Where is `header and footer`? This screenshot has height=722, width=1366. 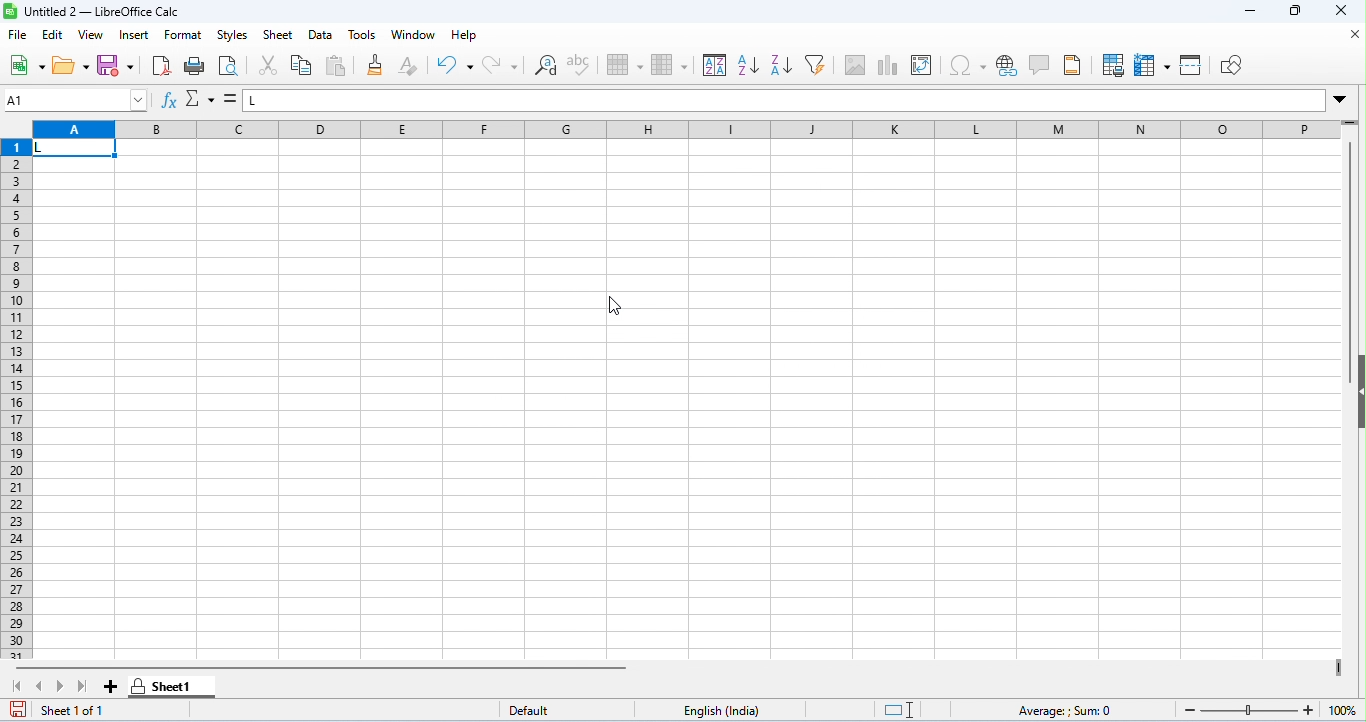
header and footer is located at coordinates (1073, 65).